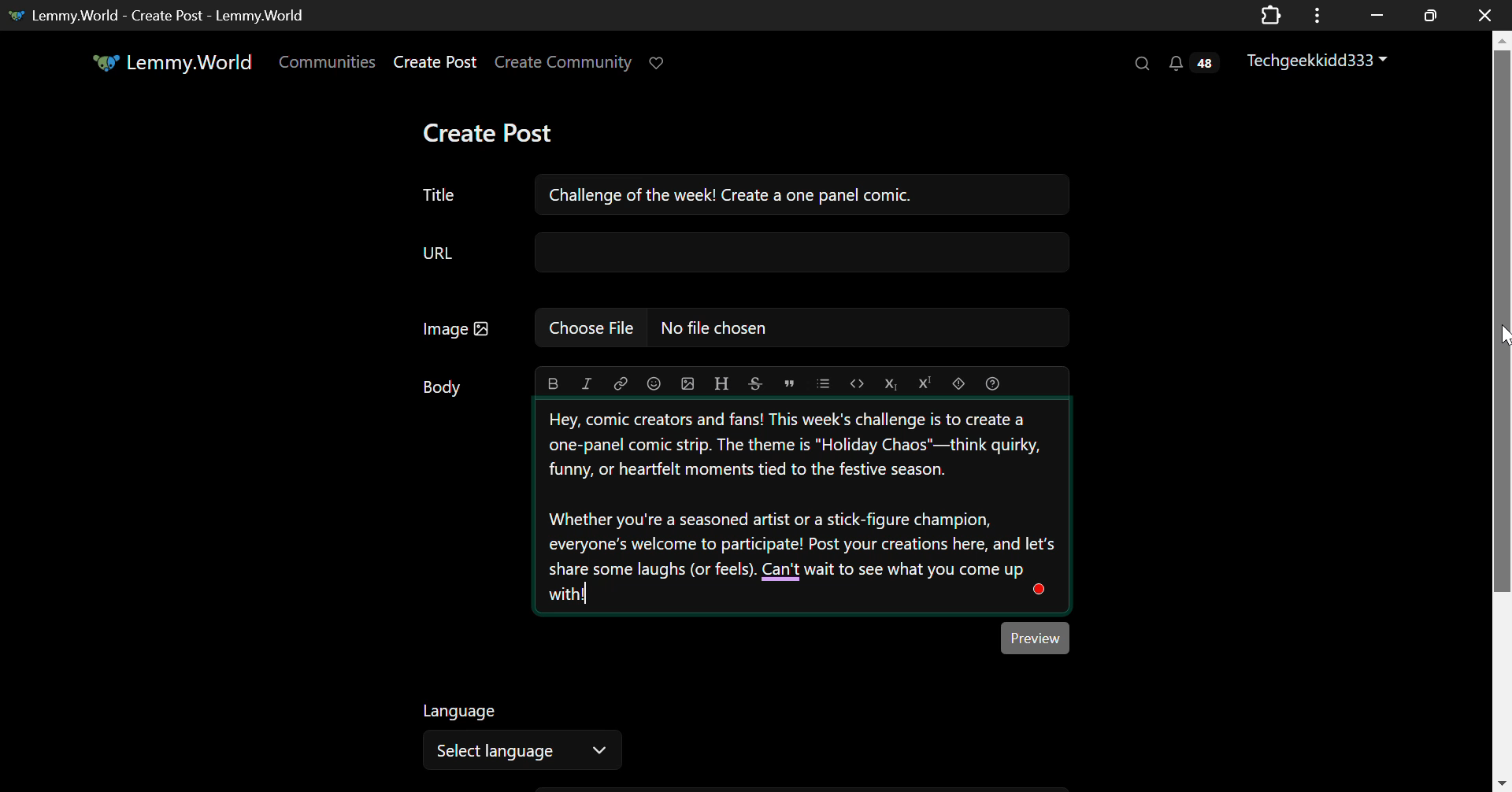 The height and width of the screenshot is (792, 1512). I want to click on Language, so click(459, 711).